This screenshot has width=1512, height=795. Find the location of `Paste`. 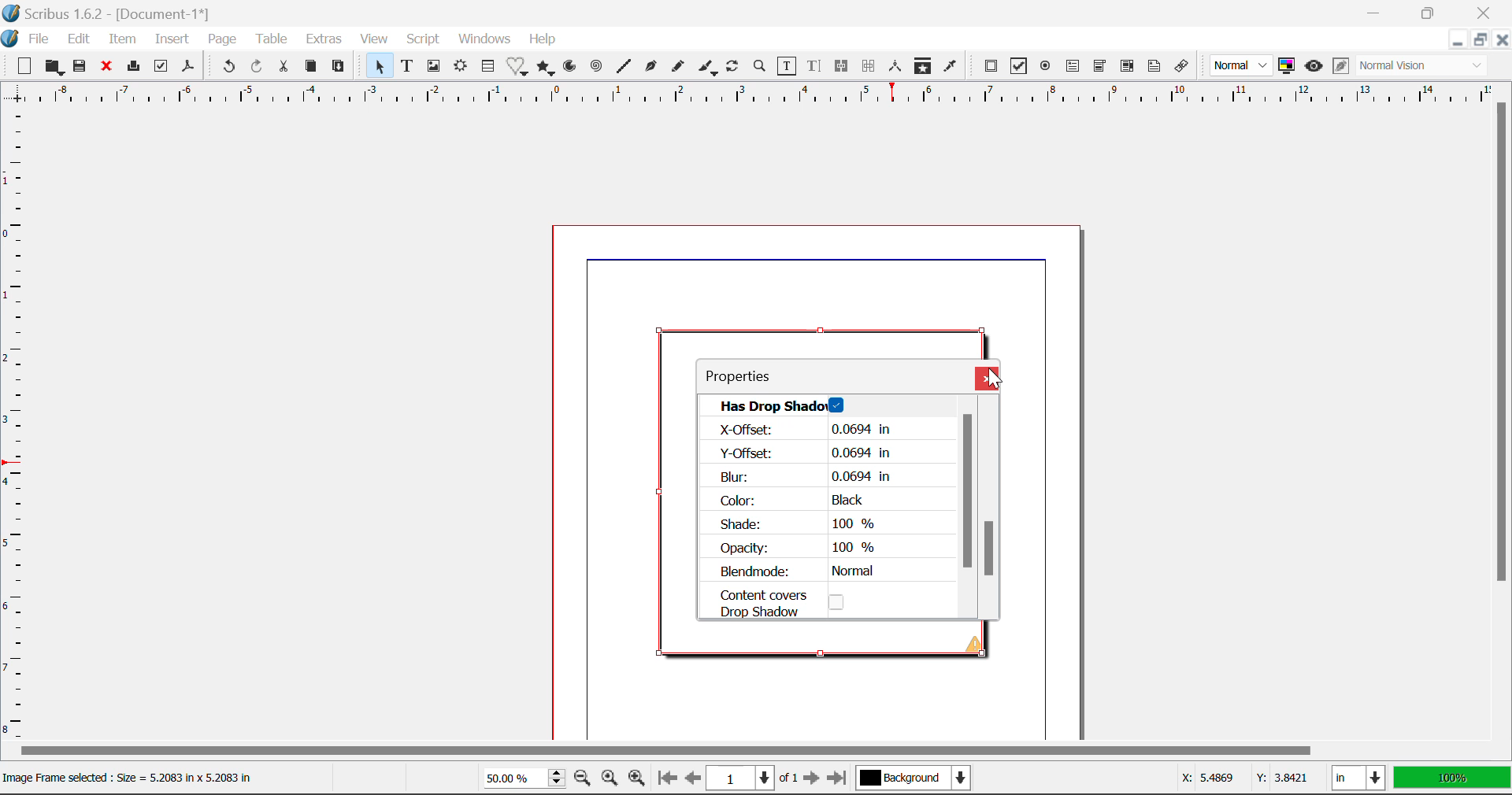

Paste is located at coordinates (341, 69).